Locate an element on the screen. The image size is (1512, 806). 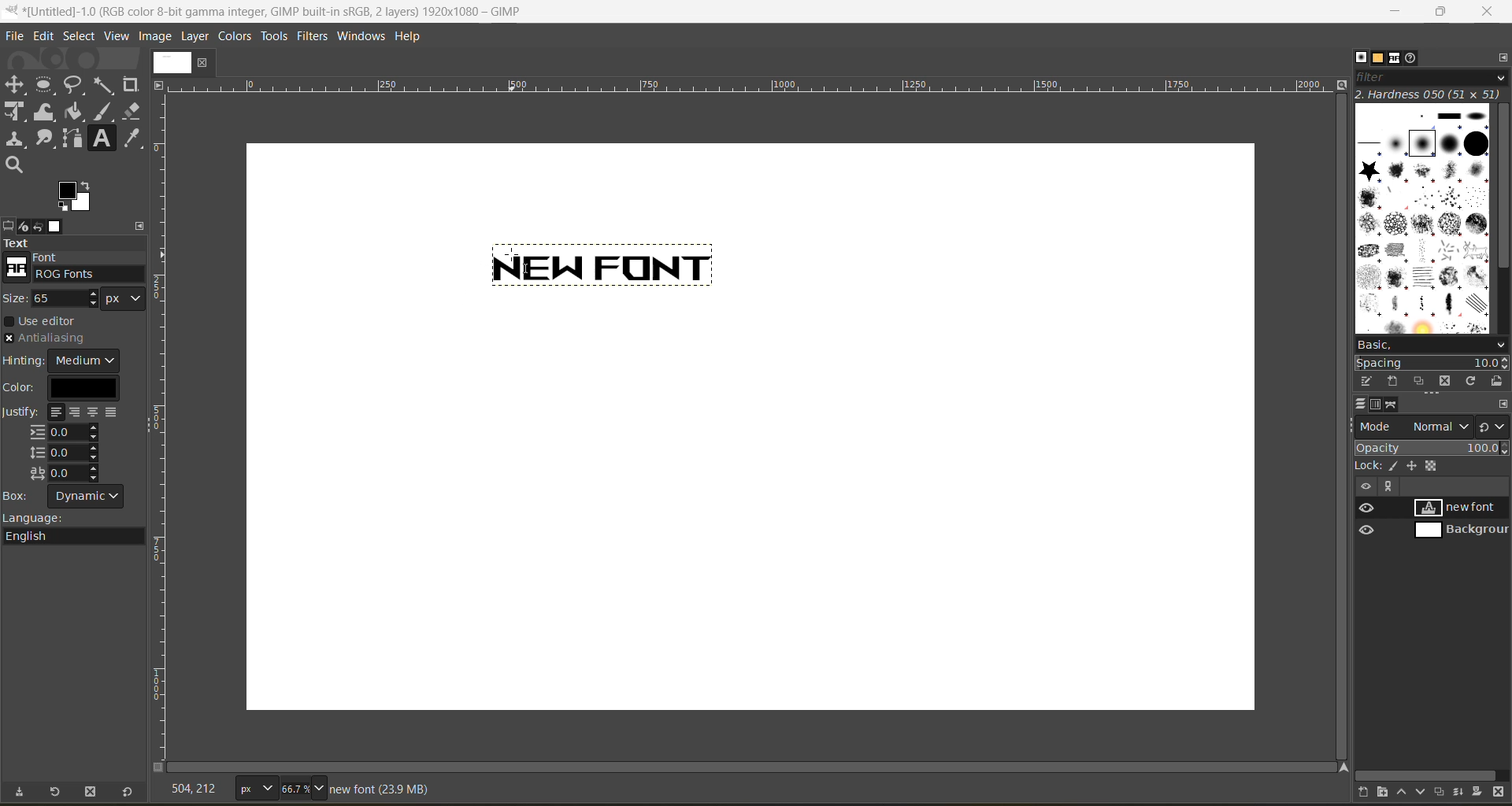
box is located at coordinates (72, 497).